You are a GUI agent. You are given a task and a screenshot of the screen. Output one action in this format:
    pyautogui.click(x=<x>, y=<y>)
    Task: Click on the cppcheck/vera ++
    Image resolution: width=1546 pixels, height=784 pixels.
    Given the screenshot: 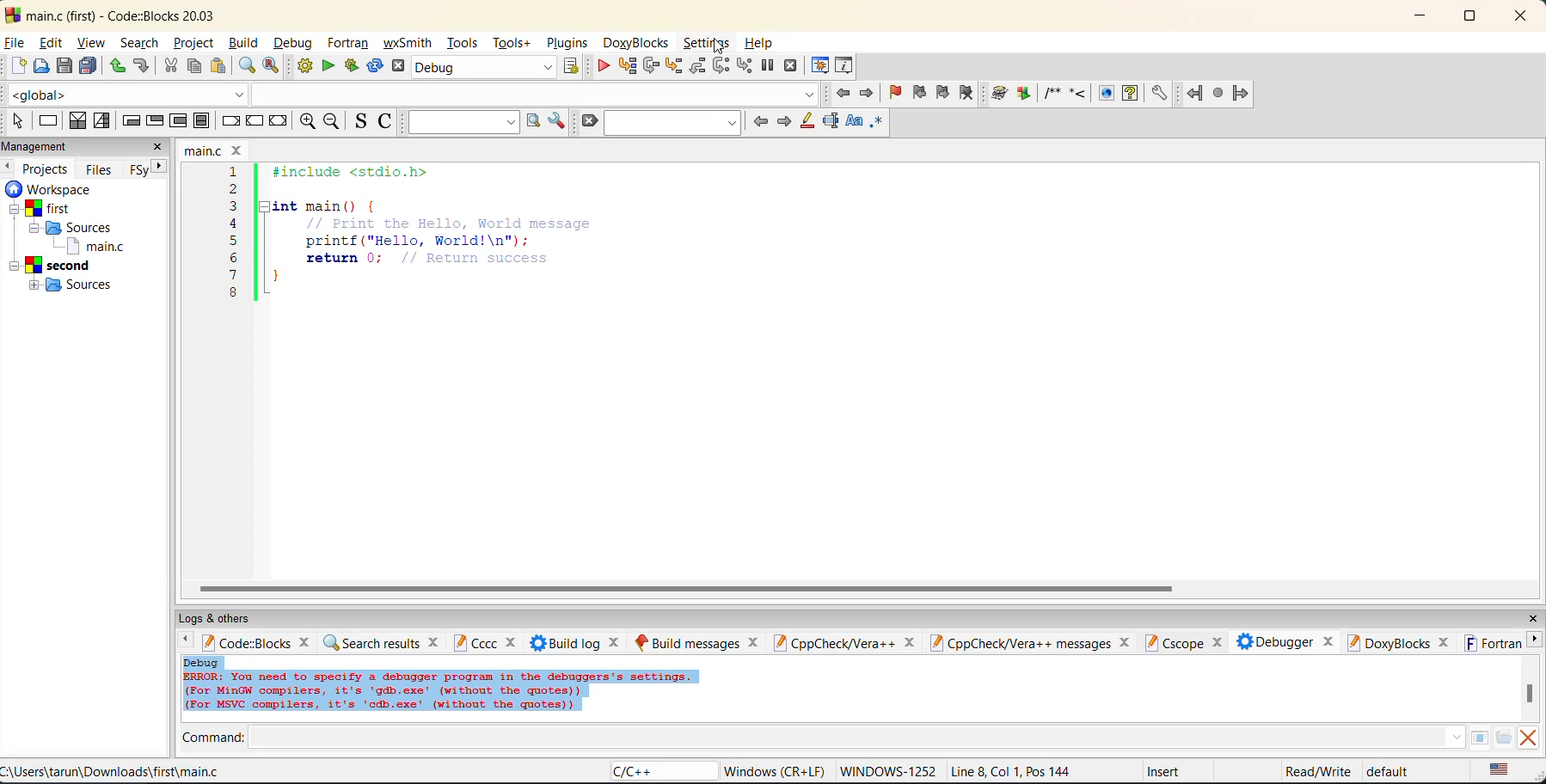 What is the action you would take?
    pyautogui.click(x=842, y=640)
    